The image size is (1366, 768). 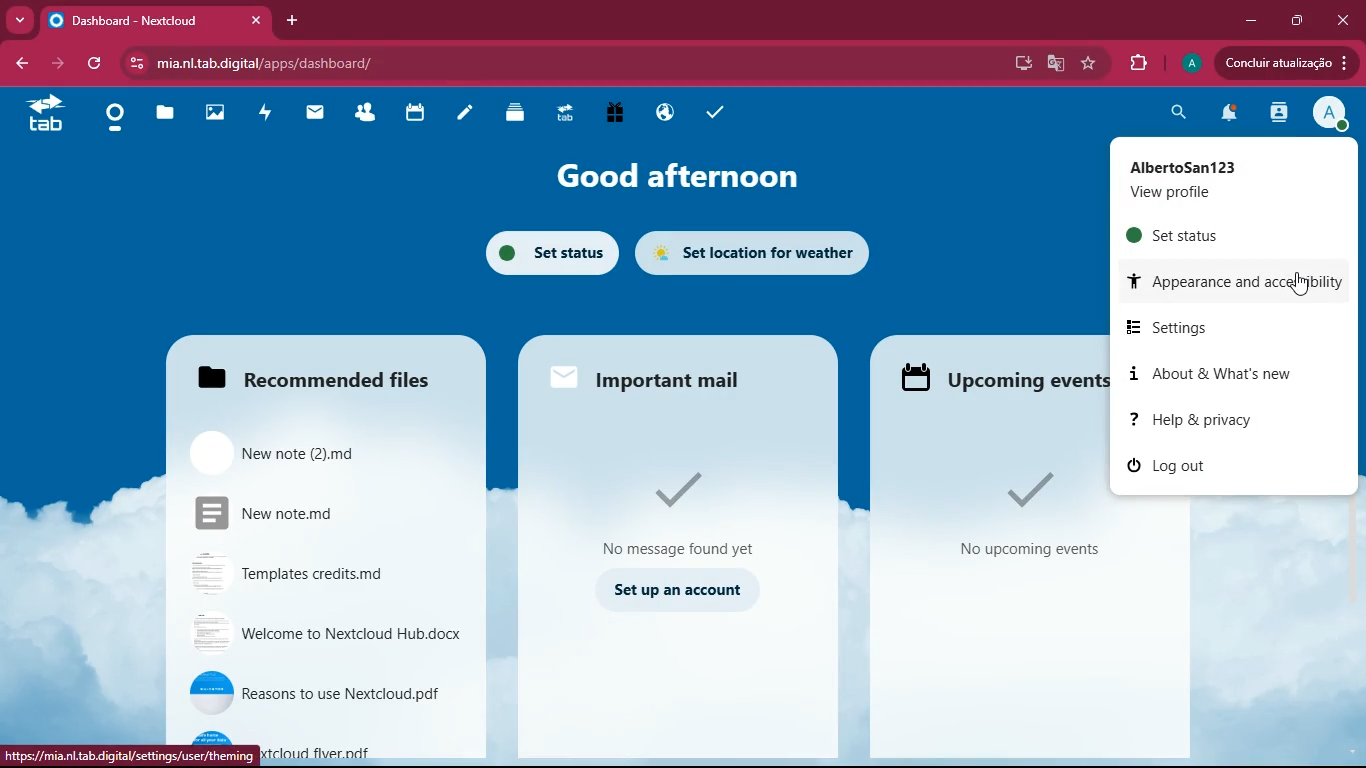 What do you see at coordinates (1192, 63) in the screenshot?
I see `profile` at bounding box center [1192, 63].